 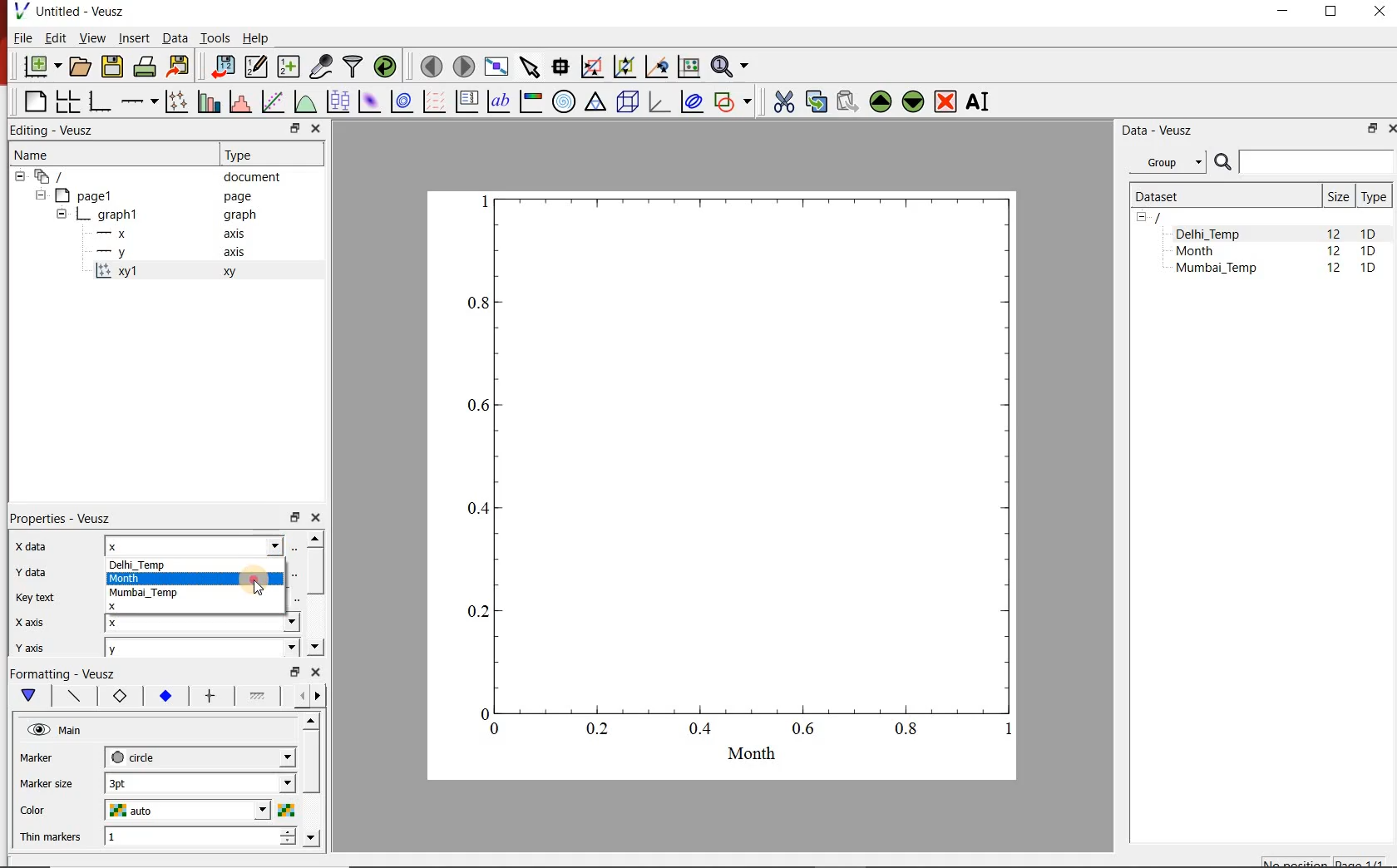 I want to click on Minor ticks, so click(x=259, y=696).